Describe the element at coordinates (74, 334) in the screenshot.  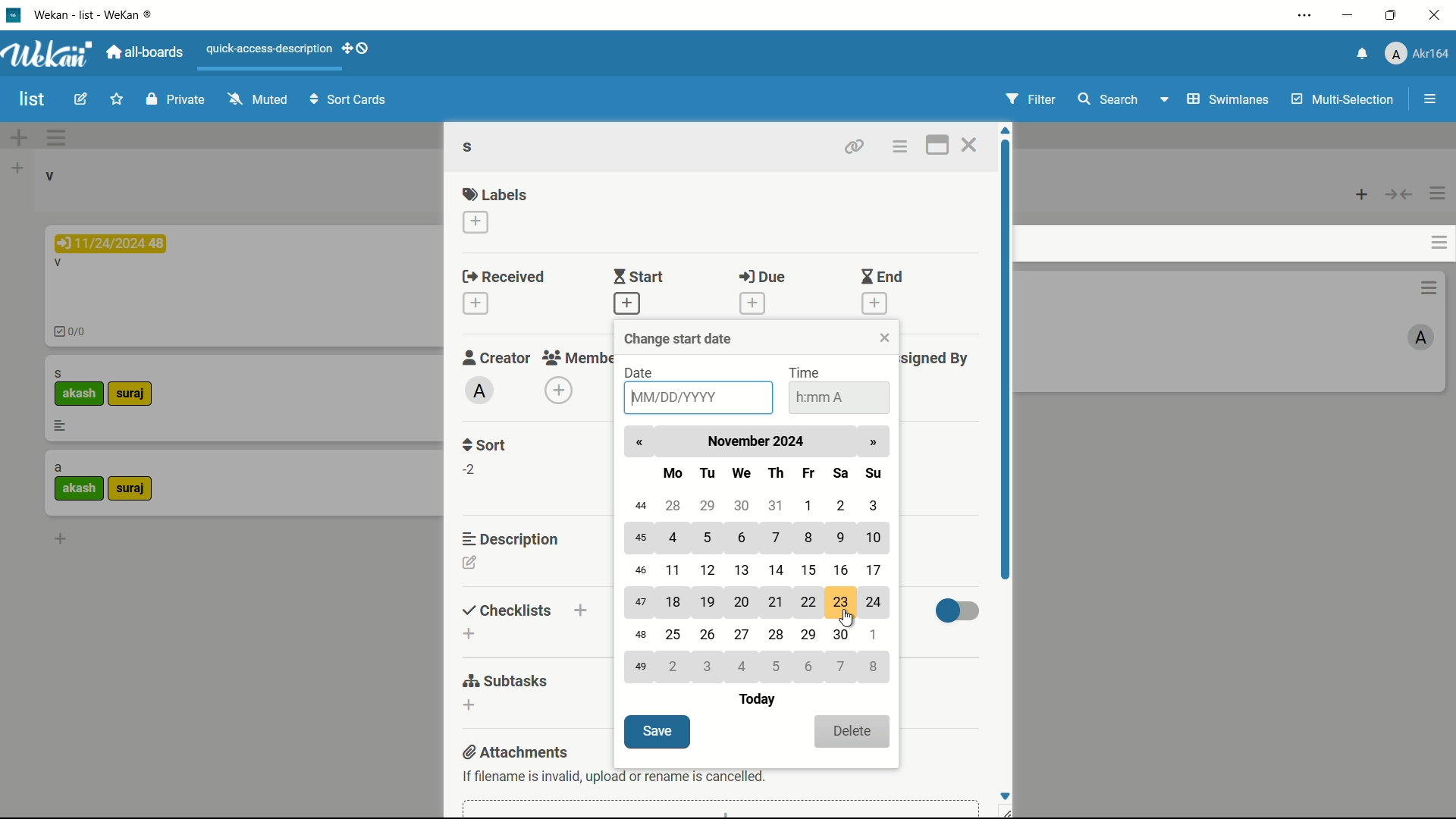
I see `checklist` at that location.